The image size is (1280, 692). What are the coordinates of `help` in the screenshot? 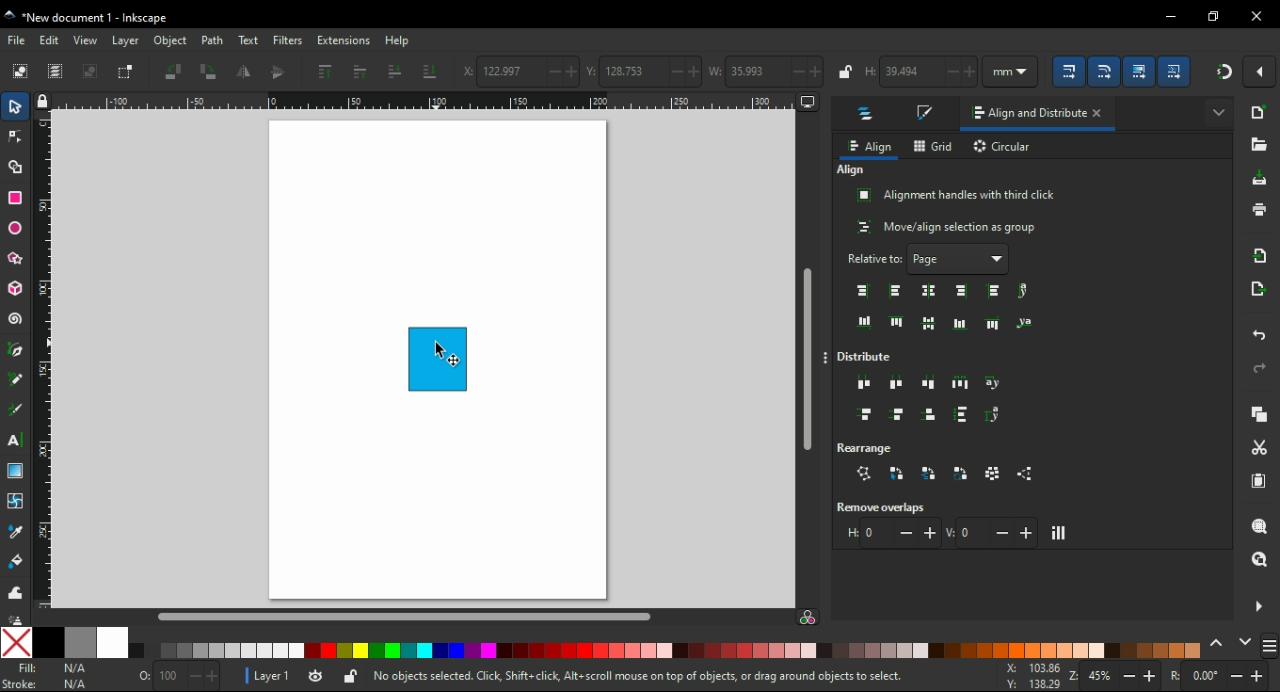 It's located at (400, 40).